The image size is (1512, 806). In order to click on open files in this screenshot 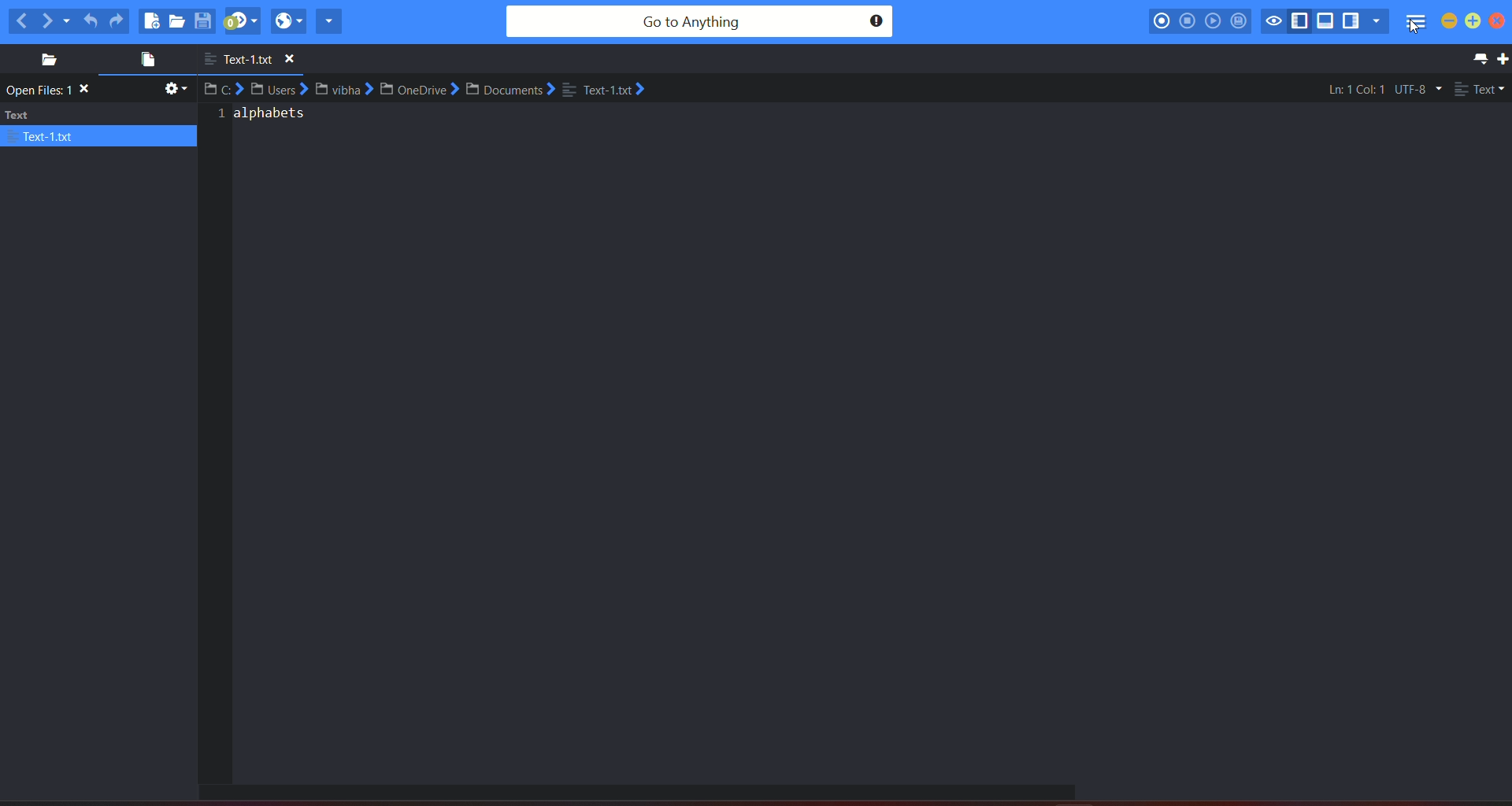, I will do `click(52, 91)`.